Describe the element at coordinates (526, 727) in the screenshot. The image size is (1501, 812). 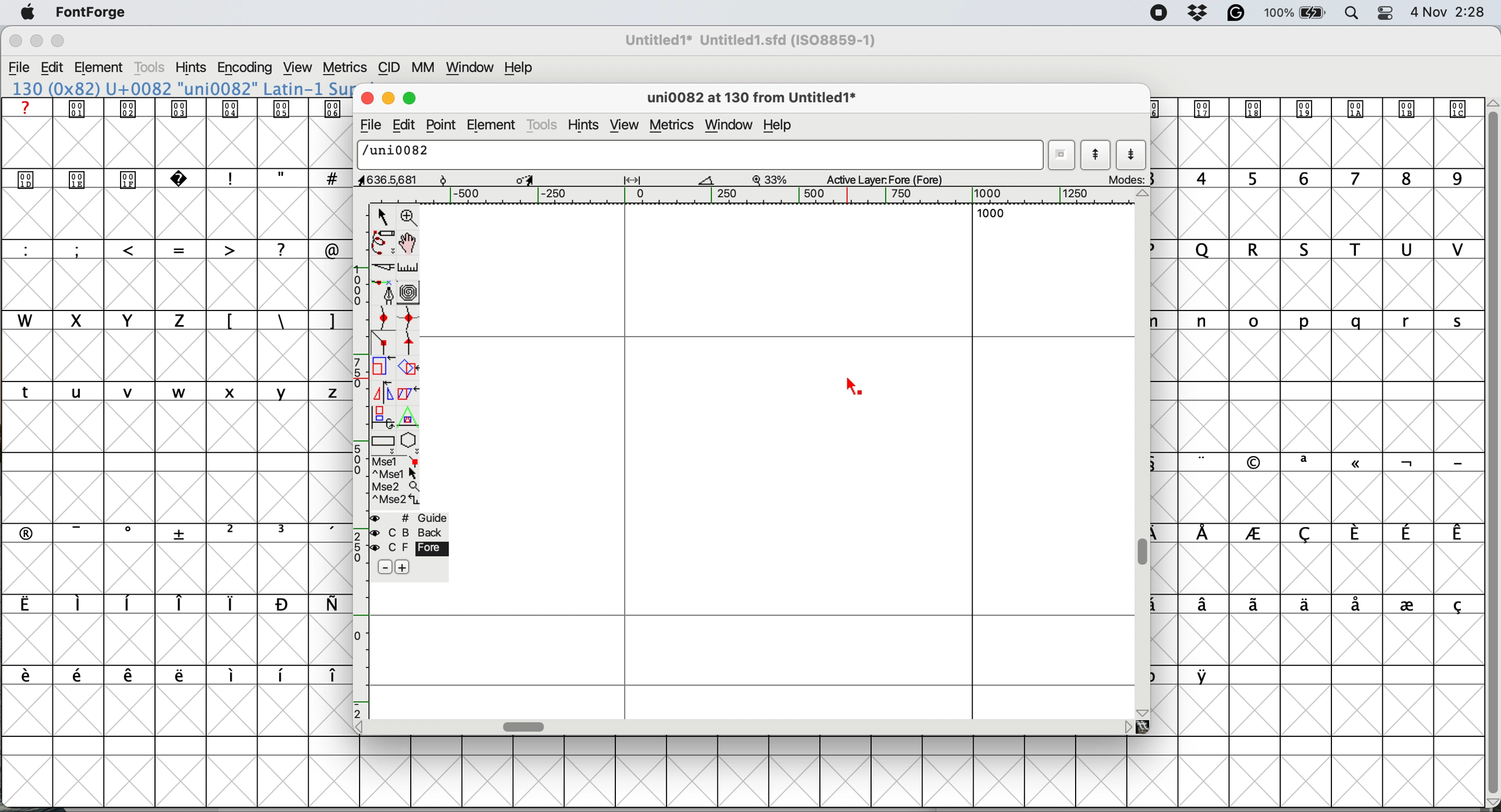
I see `horizontal scroll bar` at that location.